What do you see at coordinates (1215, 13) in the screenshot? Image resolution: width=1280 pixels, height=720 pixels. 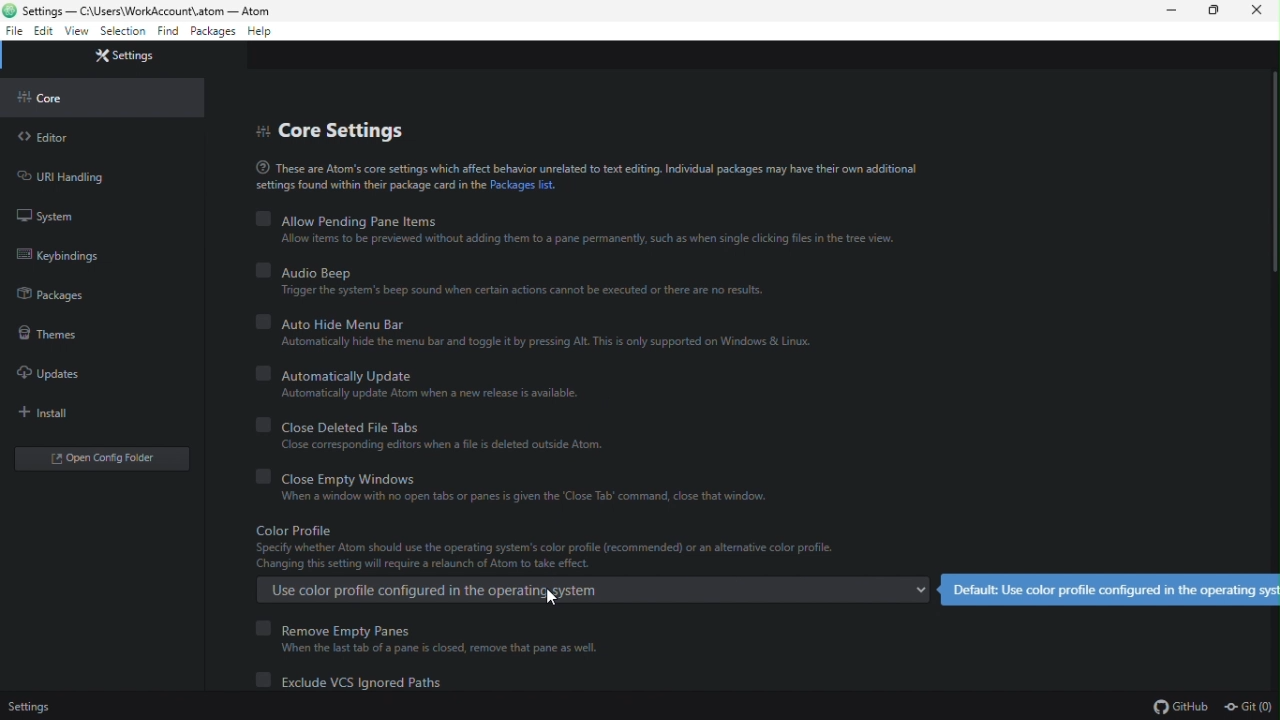 I see `restore` at bounding box center [1215, 13].